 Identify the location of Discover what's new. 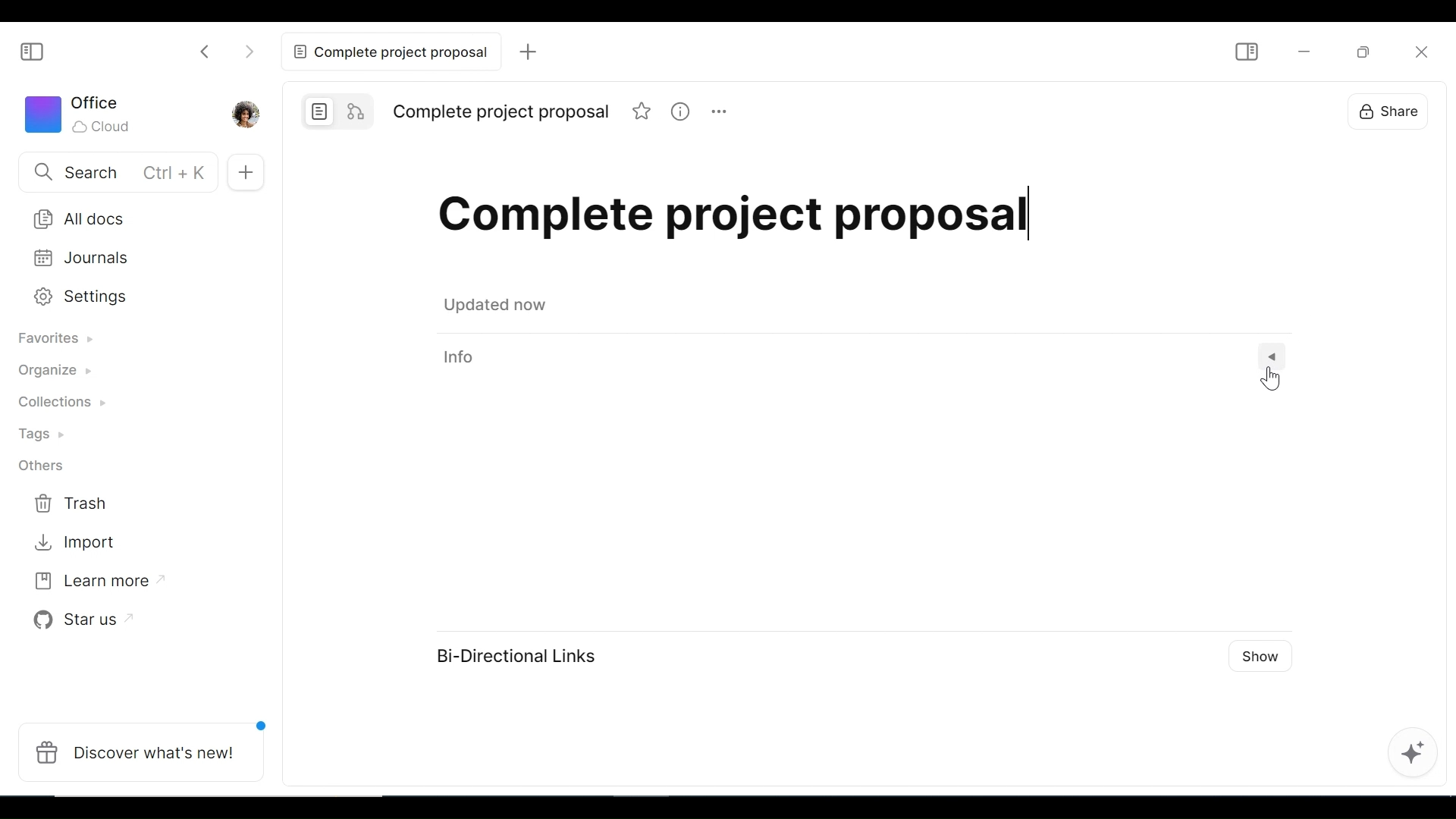
(143, 752).